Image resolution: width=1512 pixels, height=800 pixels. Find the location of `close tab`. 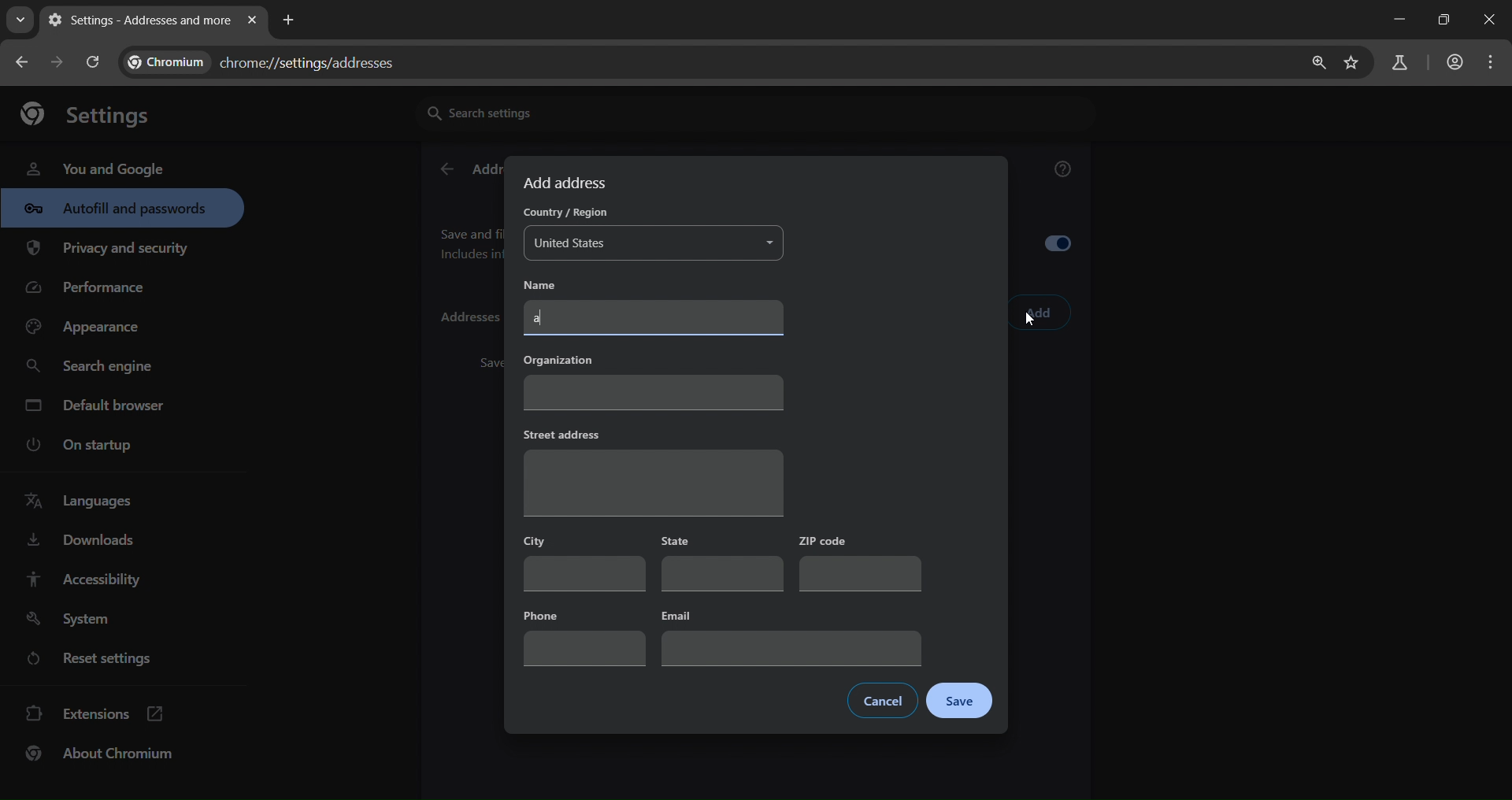

close tab is located at coordinates (252, 21).